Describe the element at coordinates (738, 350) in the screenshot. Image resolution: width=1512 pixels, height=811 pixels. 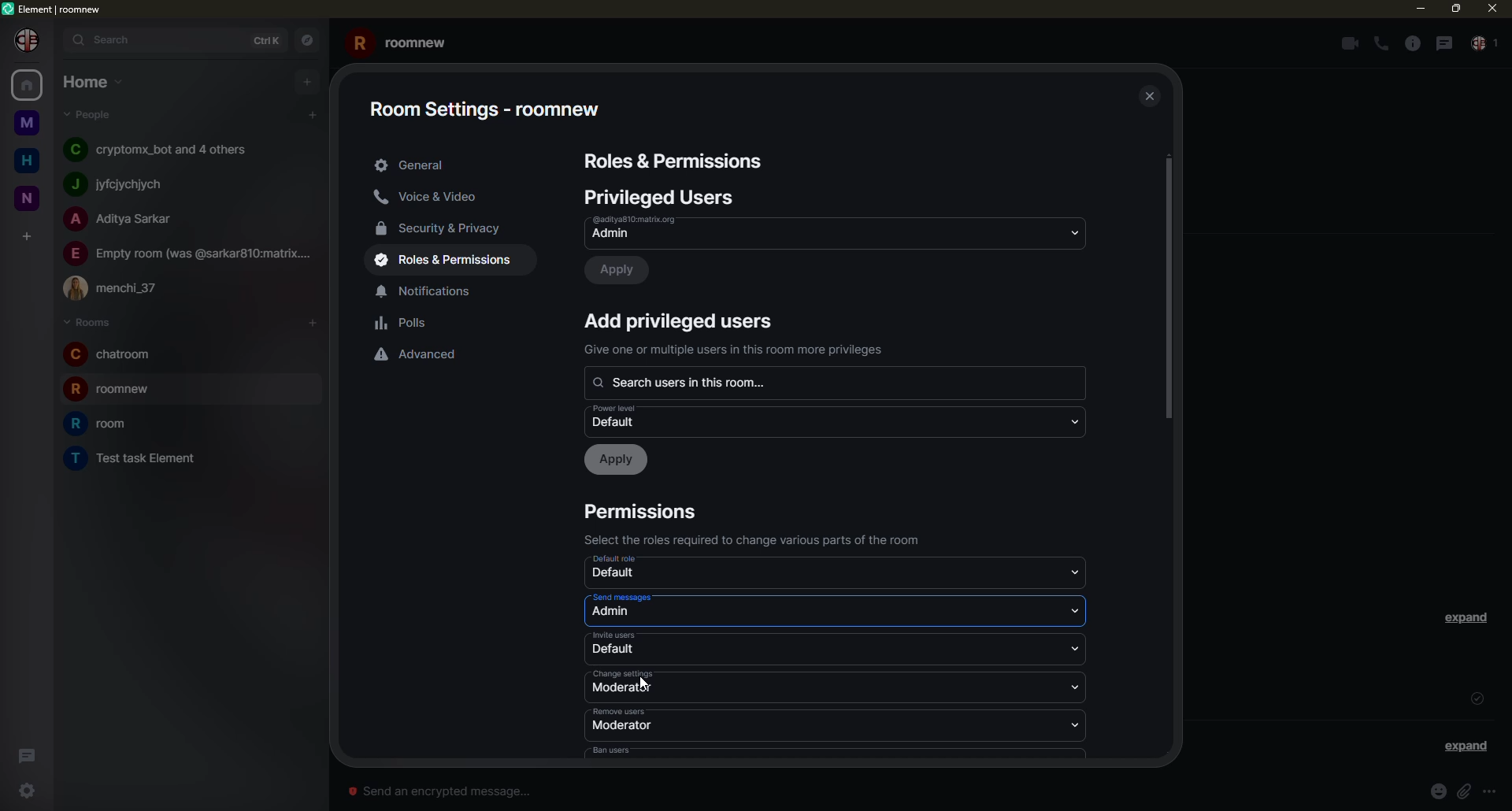
I see `priviledge` at that location.